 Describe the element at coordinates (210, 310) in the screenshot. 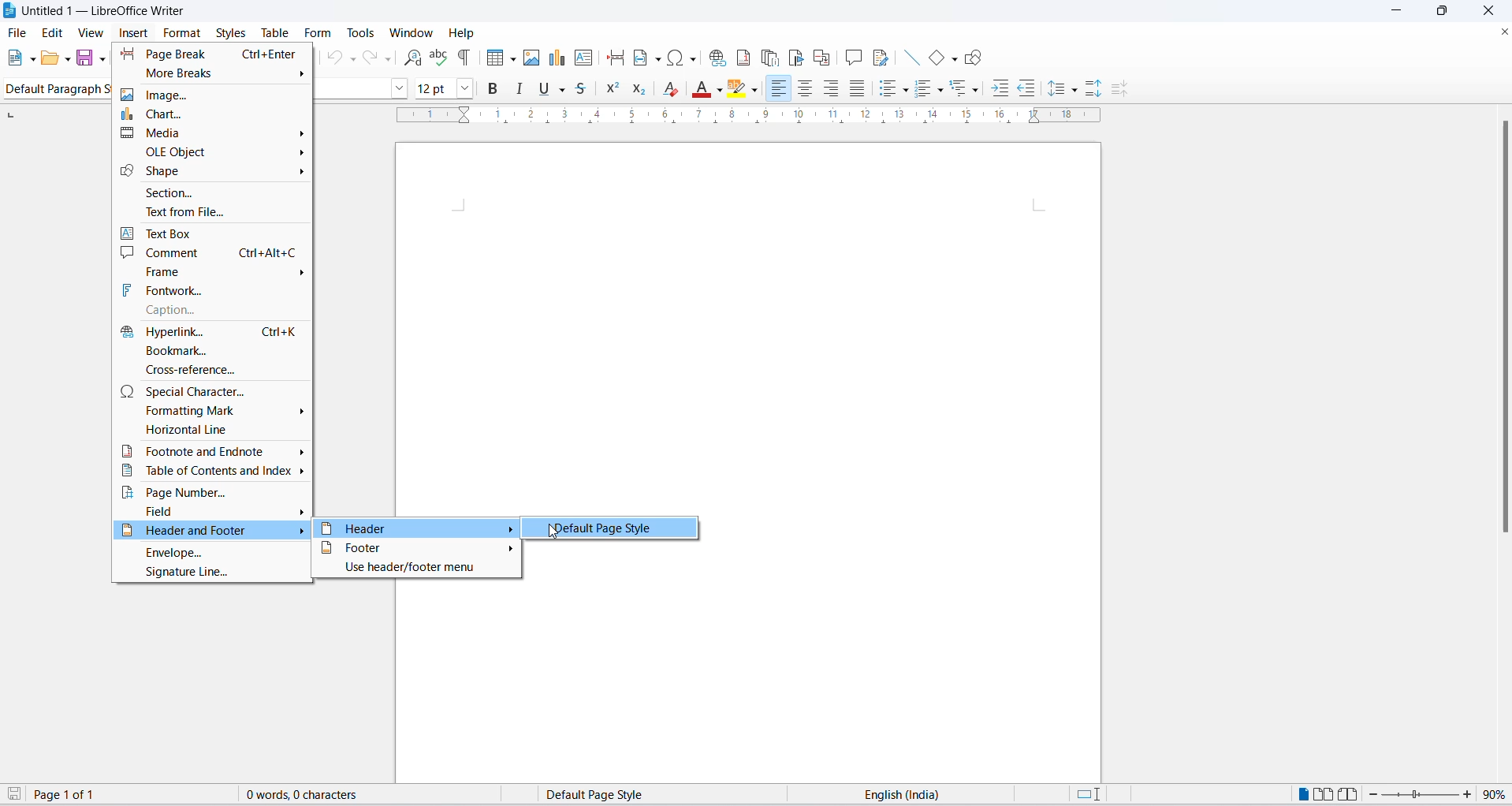

I see `caption` at that location.